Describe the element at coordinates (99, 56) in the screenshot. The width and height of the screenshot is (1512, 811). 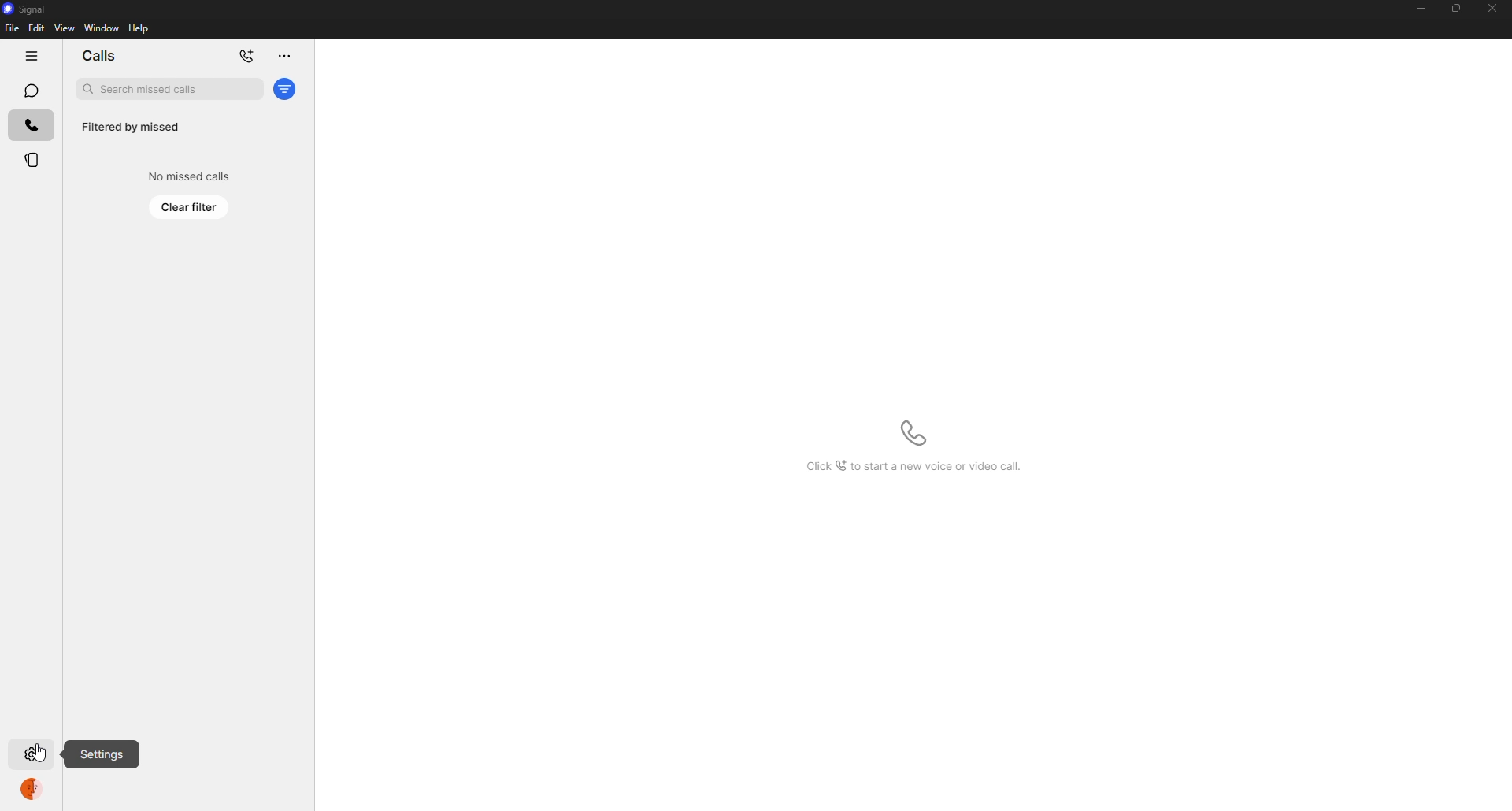
I see `calls` at that location.